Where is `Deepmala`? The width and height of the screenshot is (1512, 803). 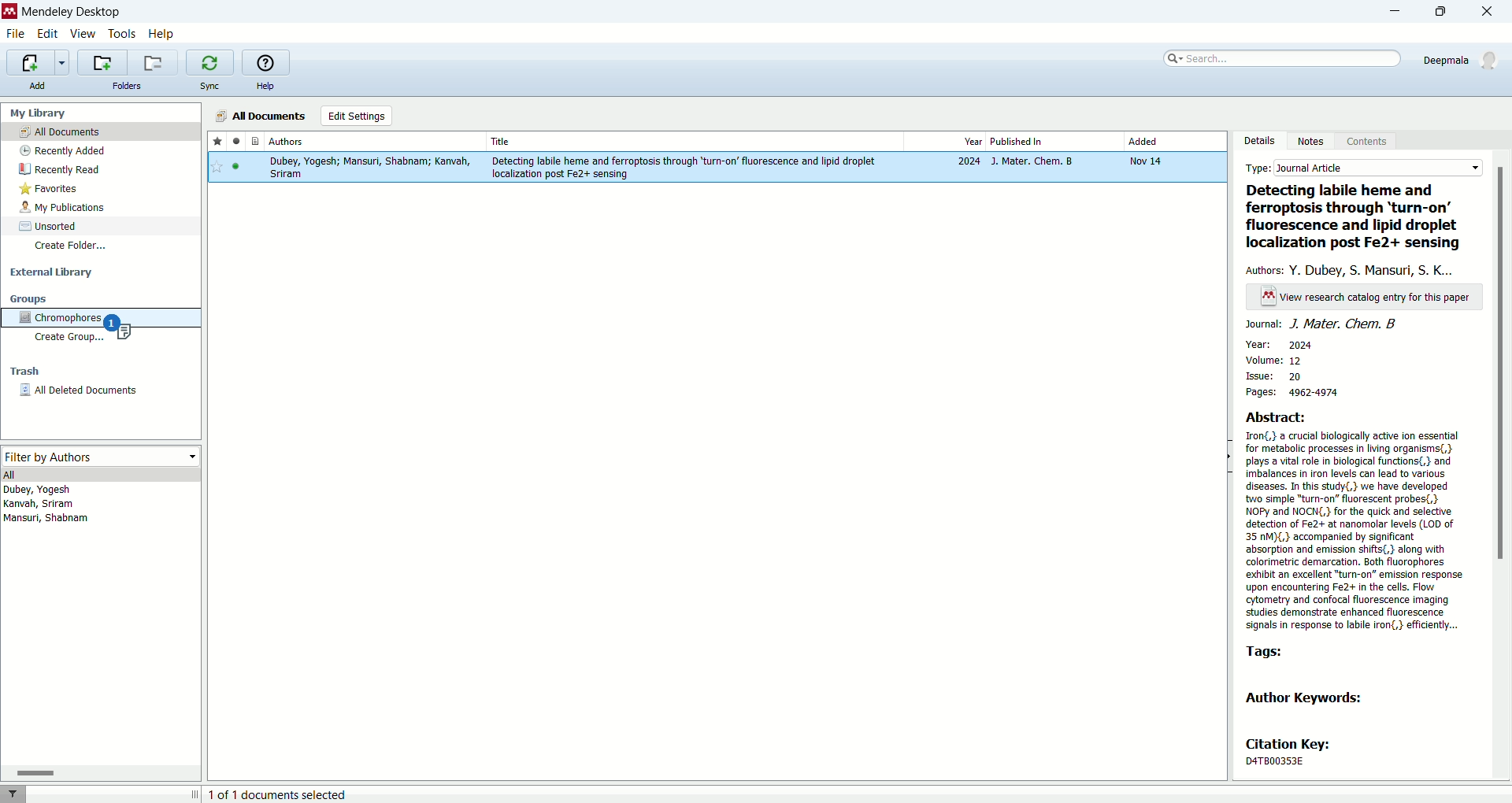 Deepmala is located at coordinates (1462, 57).